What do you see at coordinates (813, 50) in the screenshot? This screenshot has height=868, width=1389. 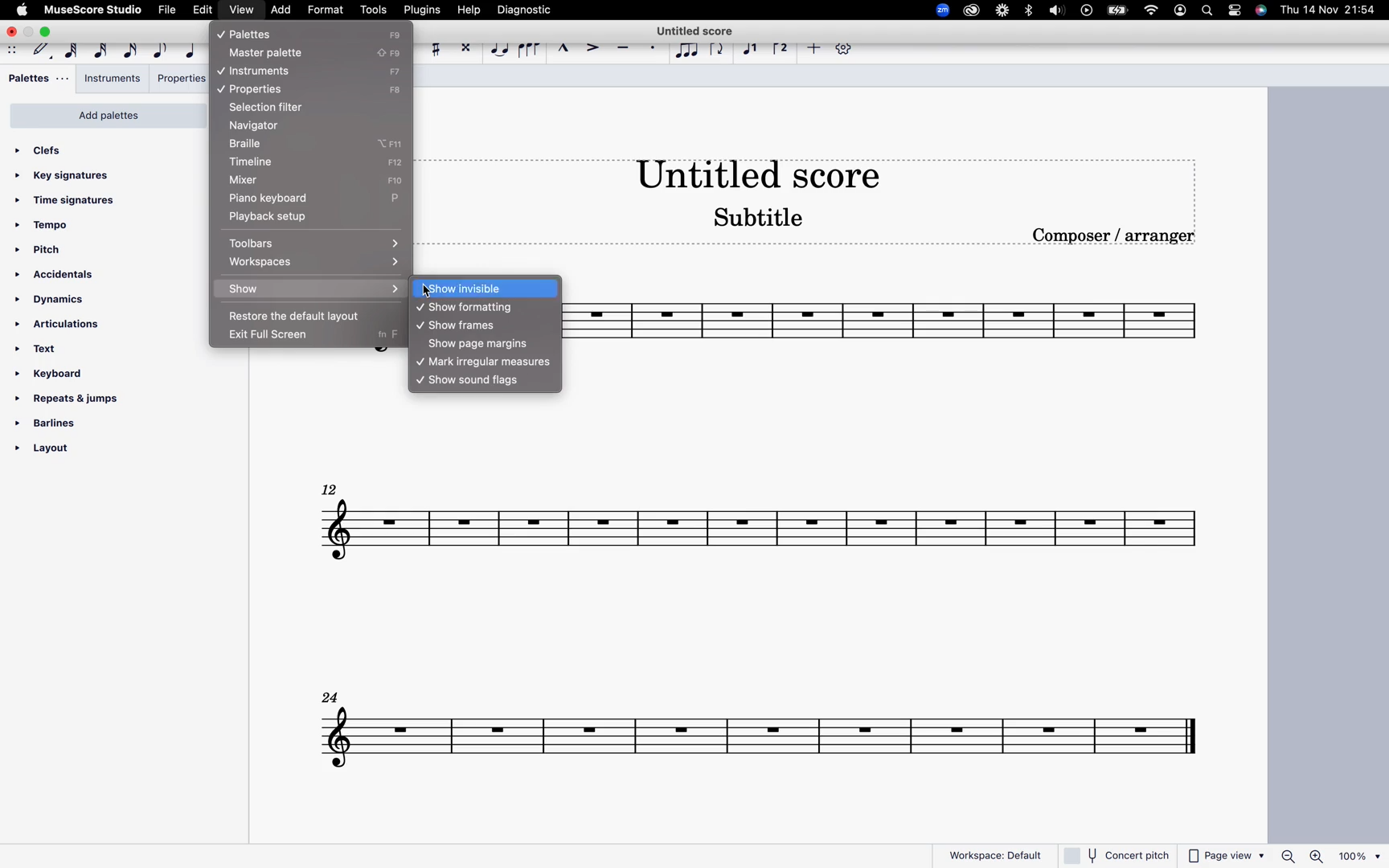 I see `more` at bounding box center [813, 50].